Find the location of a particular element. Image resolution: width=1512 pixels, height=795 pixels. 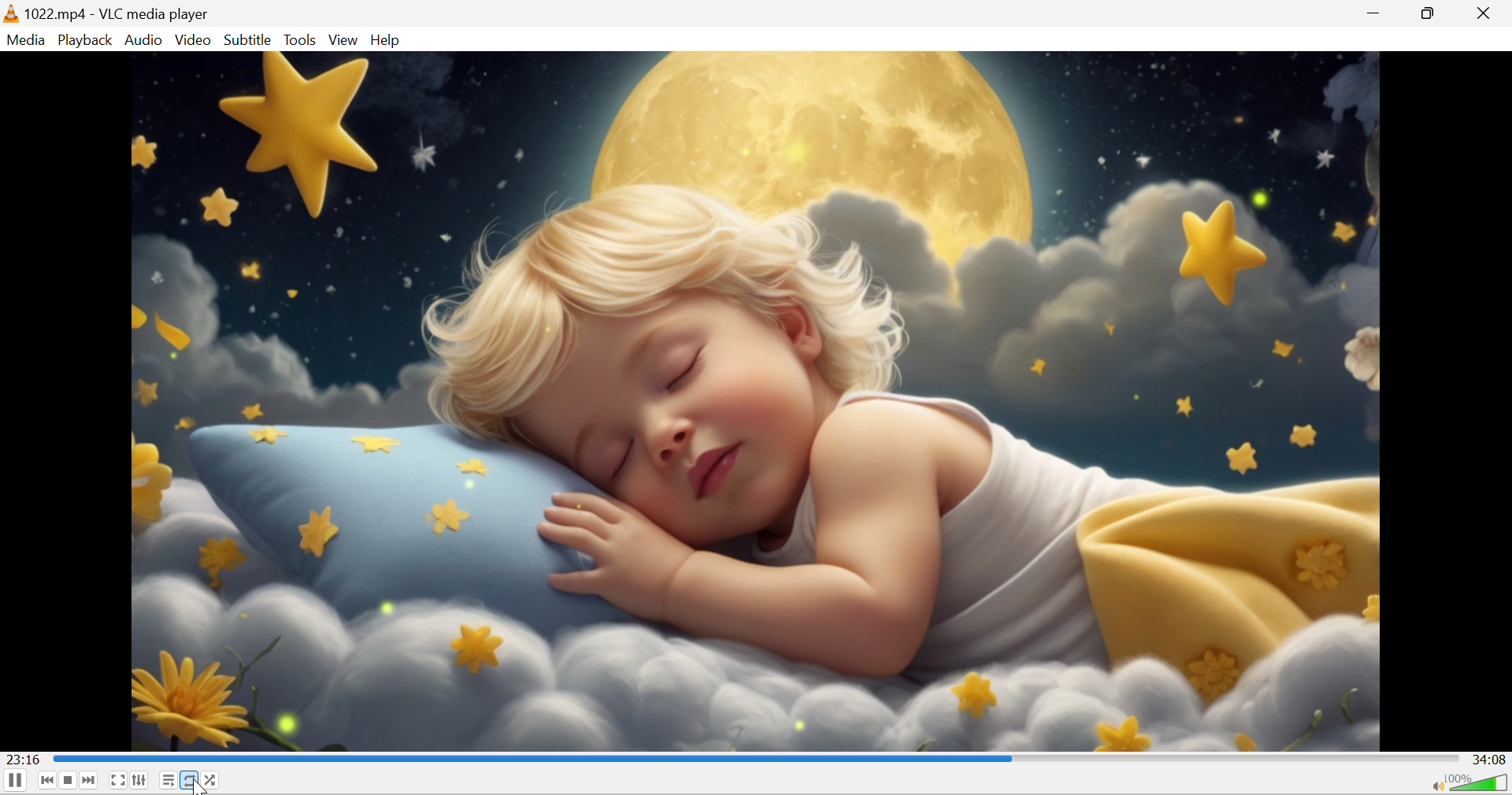

wallpaper is located at coordinates (754, 401).